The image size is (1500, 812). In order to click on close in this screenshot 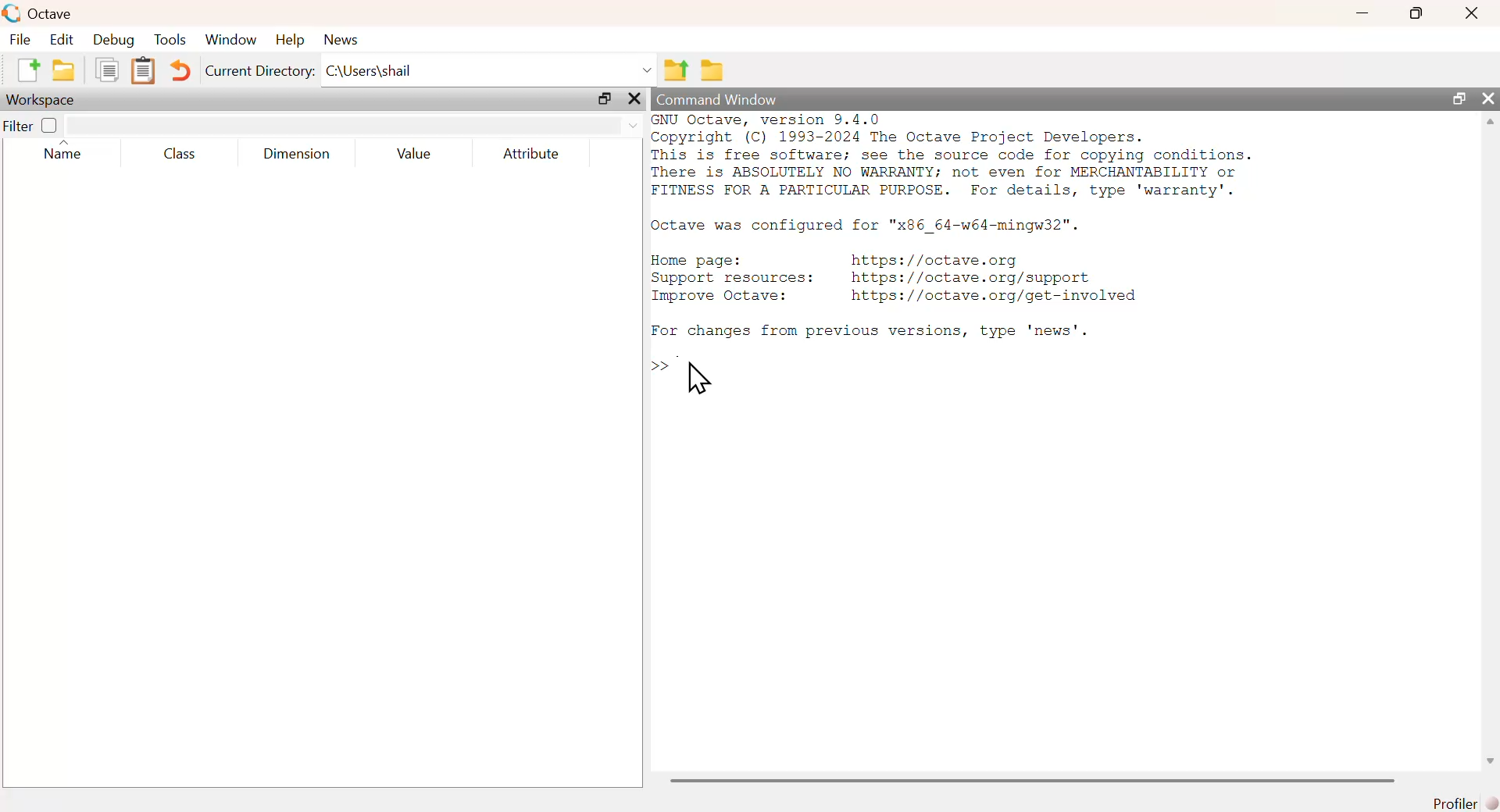, I will do `click(1491, 100)`.